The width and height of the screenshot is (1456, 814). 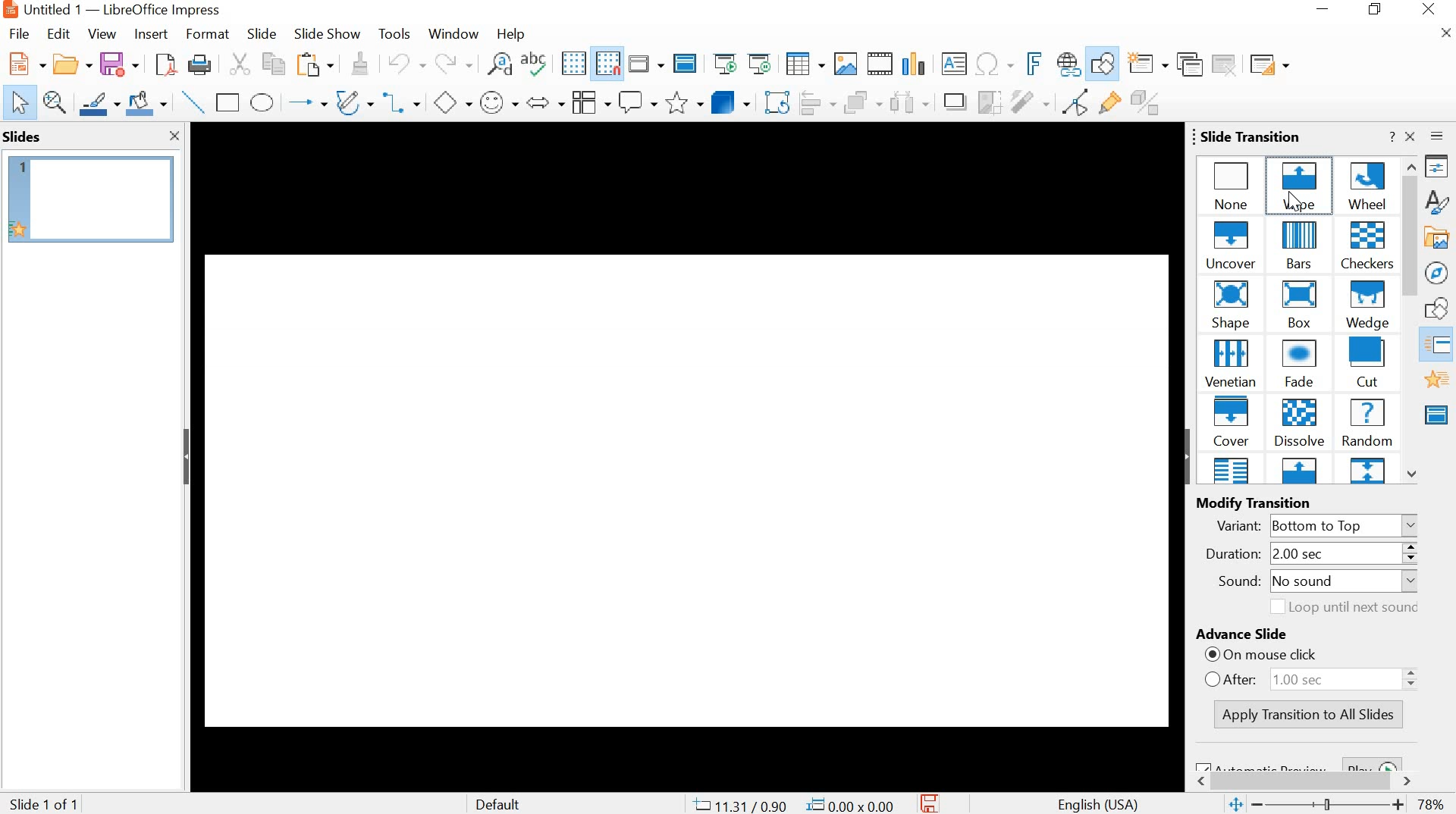 I want to click on ANIMATION, so click(x=1437, y=380).